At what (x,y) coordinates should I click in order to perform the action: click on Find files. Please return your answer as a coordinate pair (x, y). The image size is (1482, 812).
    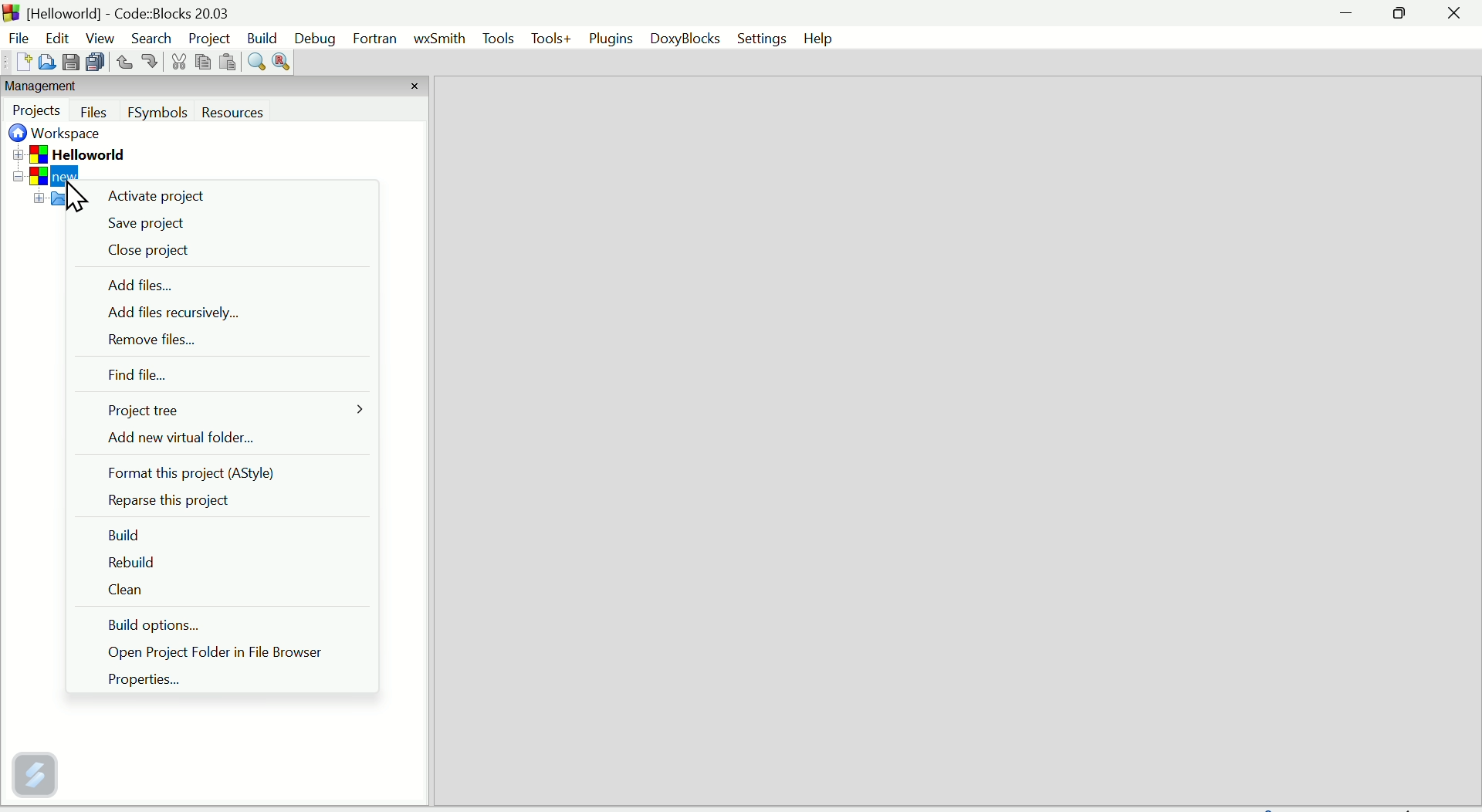
    Looking at the image, I should click on (134, 377).